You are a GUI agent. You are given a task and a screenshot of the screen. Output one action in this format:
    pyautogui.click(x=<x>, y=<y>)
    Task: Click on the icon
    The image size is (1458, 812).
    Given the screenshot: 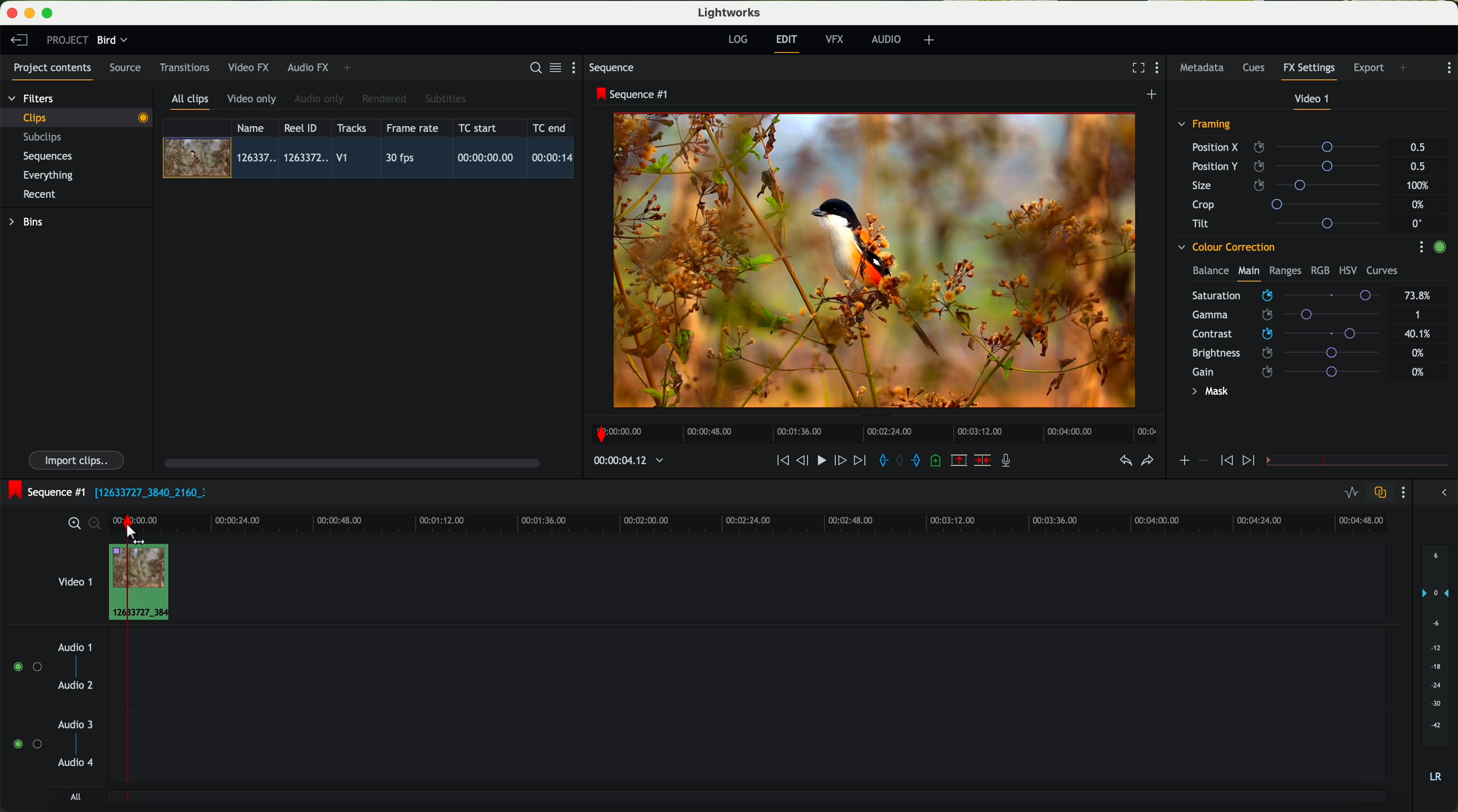 What is the action you would take?
    pyautogui.click(x=1183, y=462)
    